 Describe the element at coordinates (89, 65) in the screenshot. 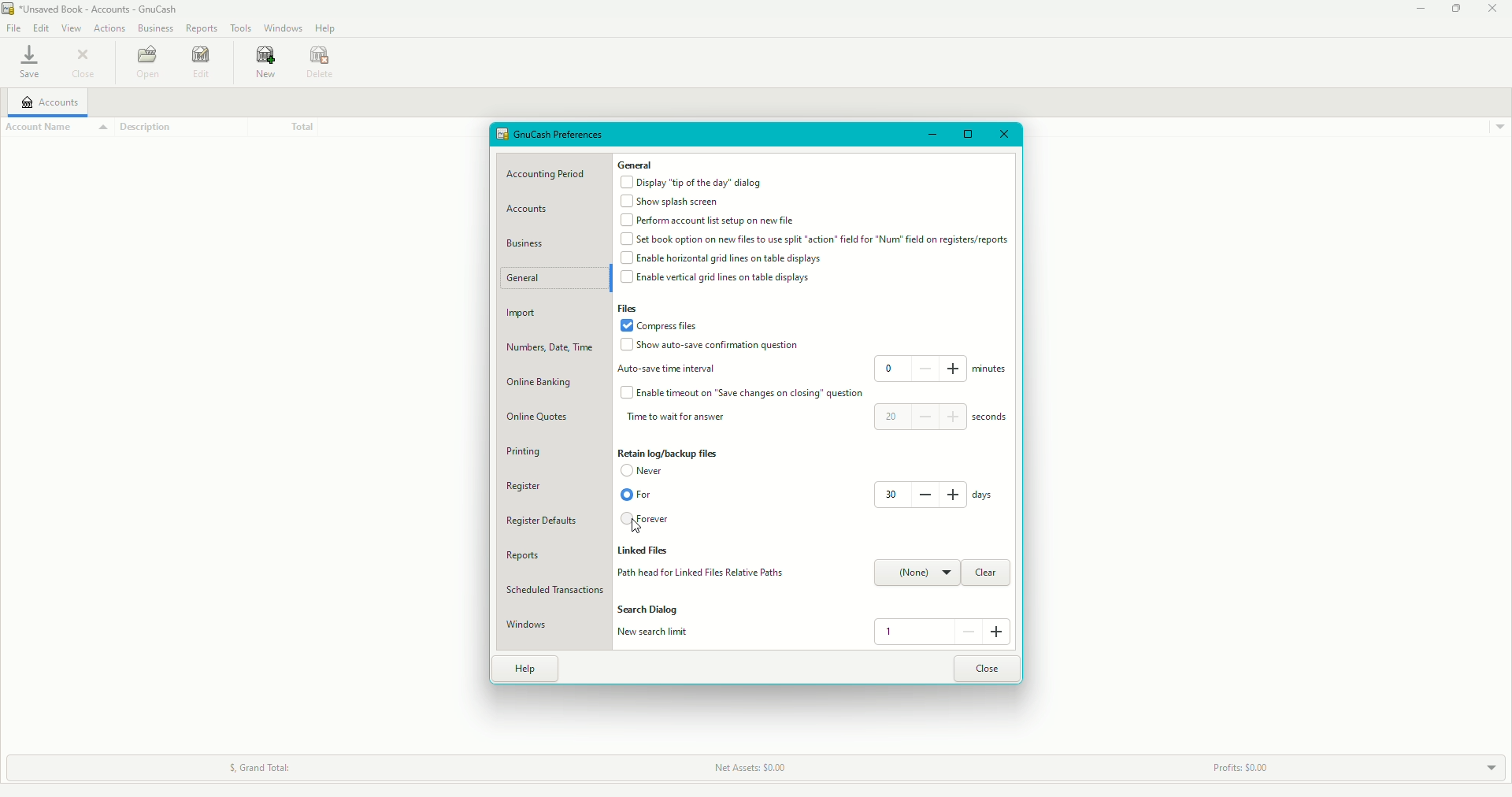

I see `Close` at that location.